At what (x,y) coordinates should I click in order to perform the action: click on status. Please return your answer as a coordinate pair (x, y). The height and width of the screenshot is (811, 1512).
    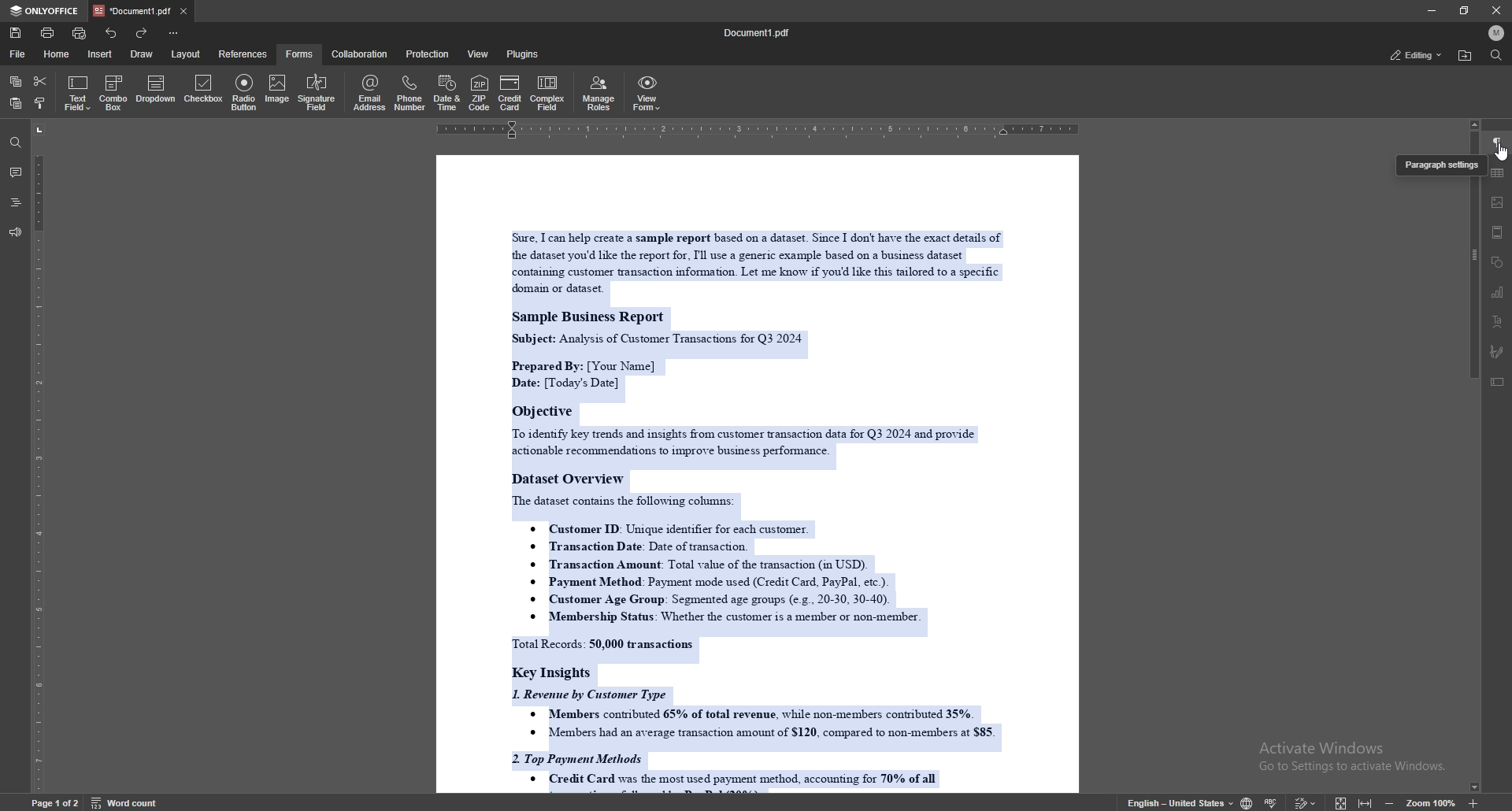
    Looking at the image, I should click on (1415, 54).